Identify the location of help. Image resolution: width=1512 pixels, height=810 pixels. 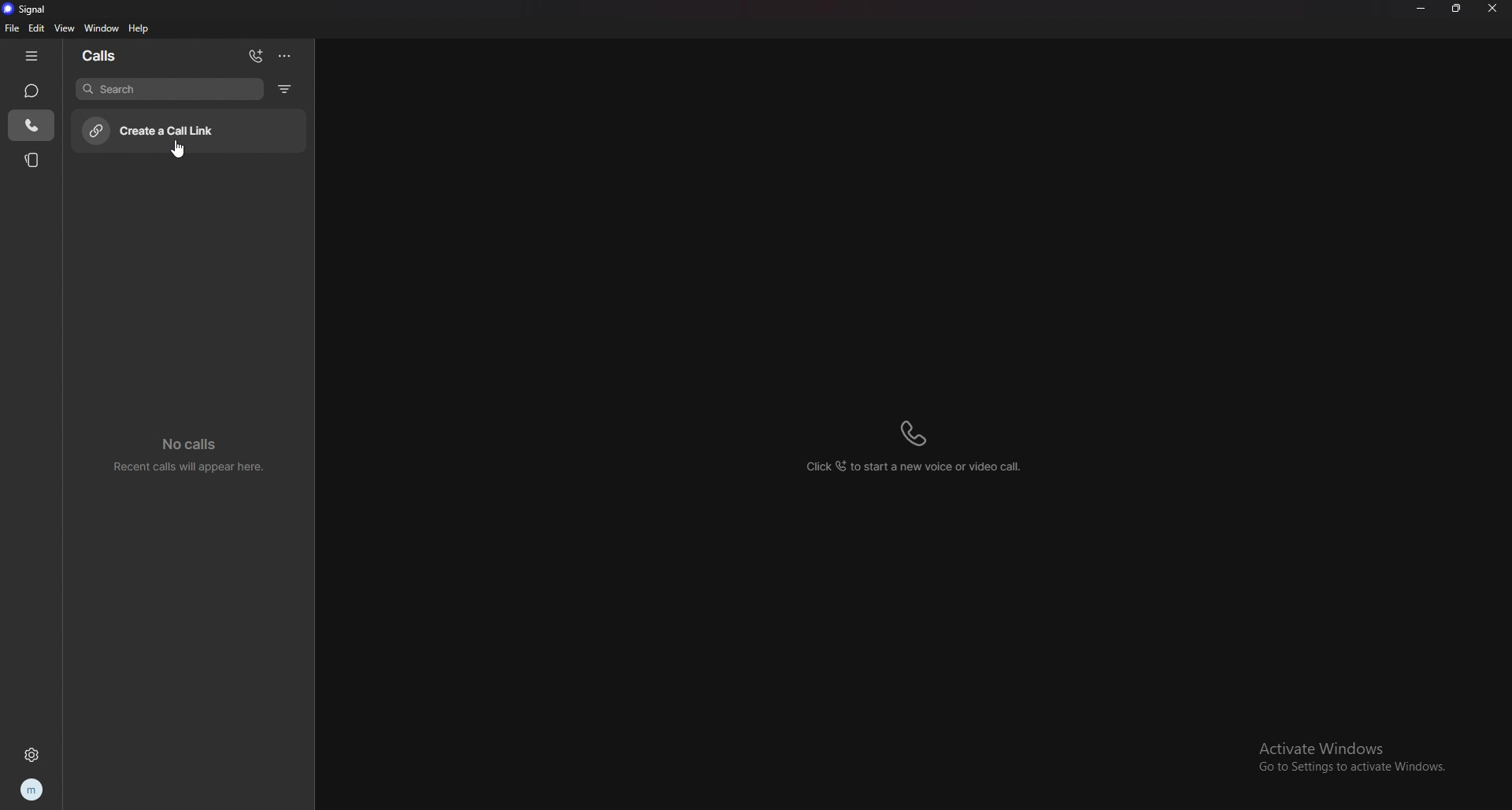
(139, 28).